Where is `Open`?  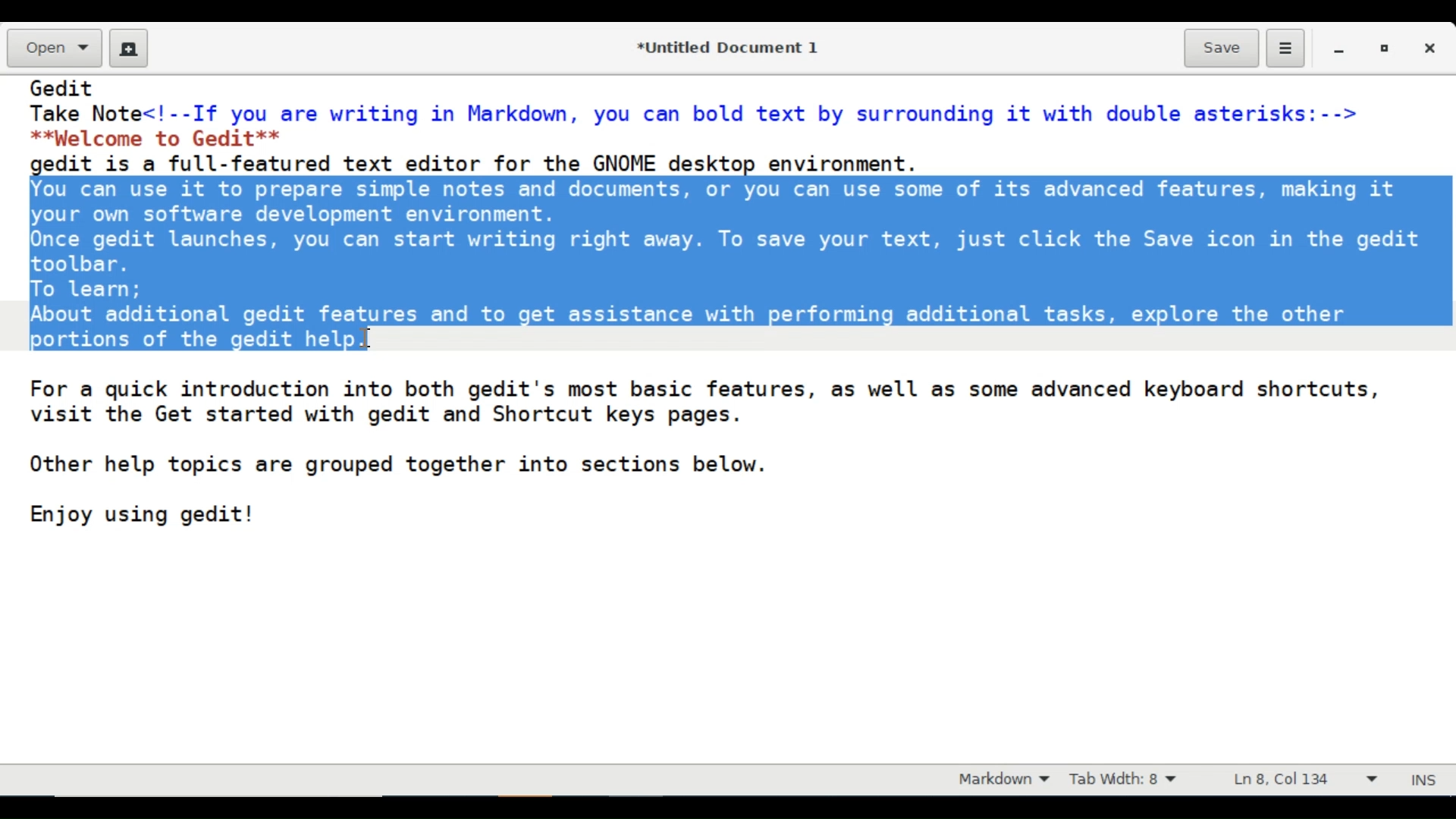 Open is located at coordinates (52, 49).